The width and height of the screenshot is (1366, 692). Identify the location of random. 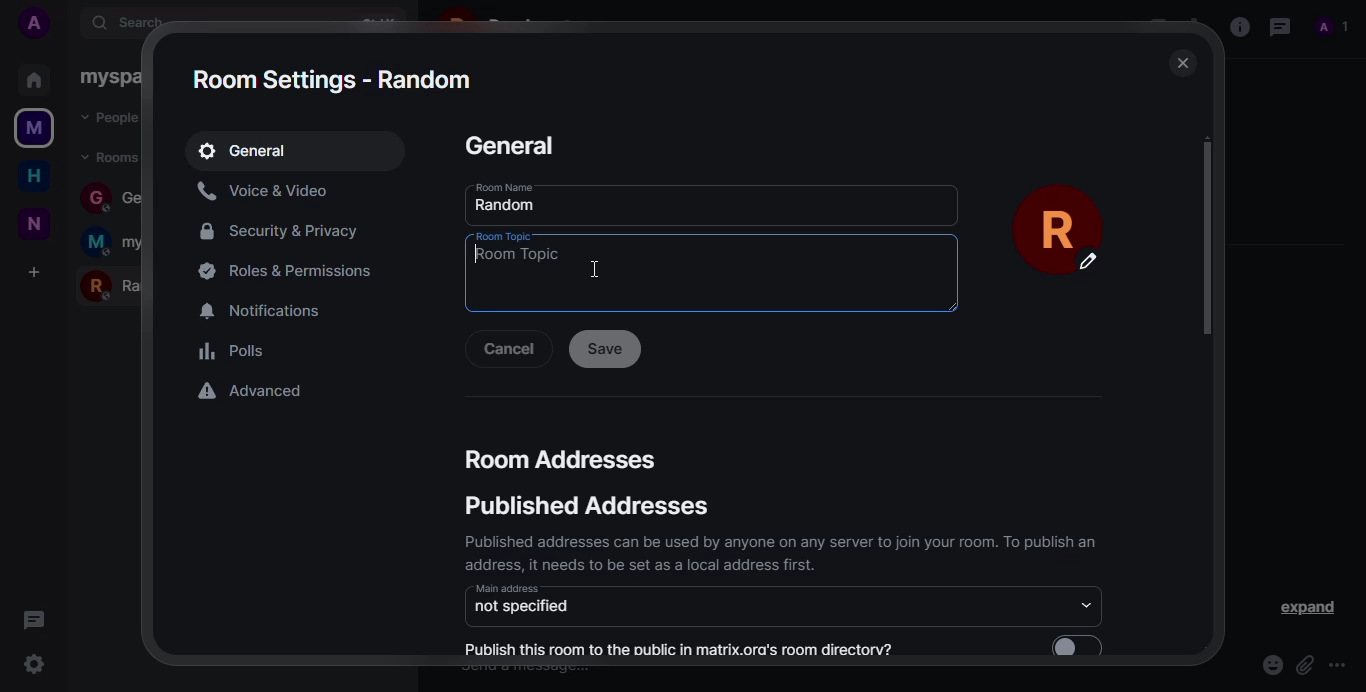
(121, 283).